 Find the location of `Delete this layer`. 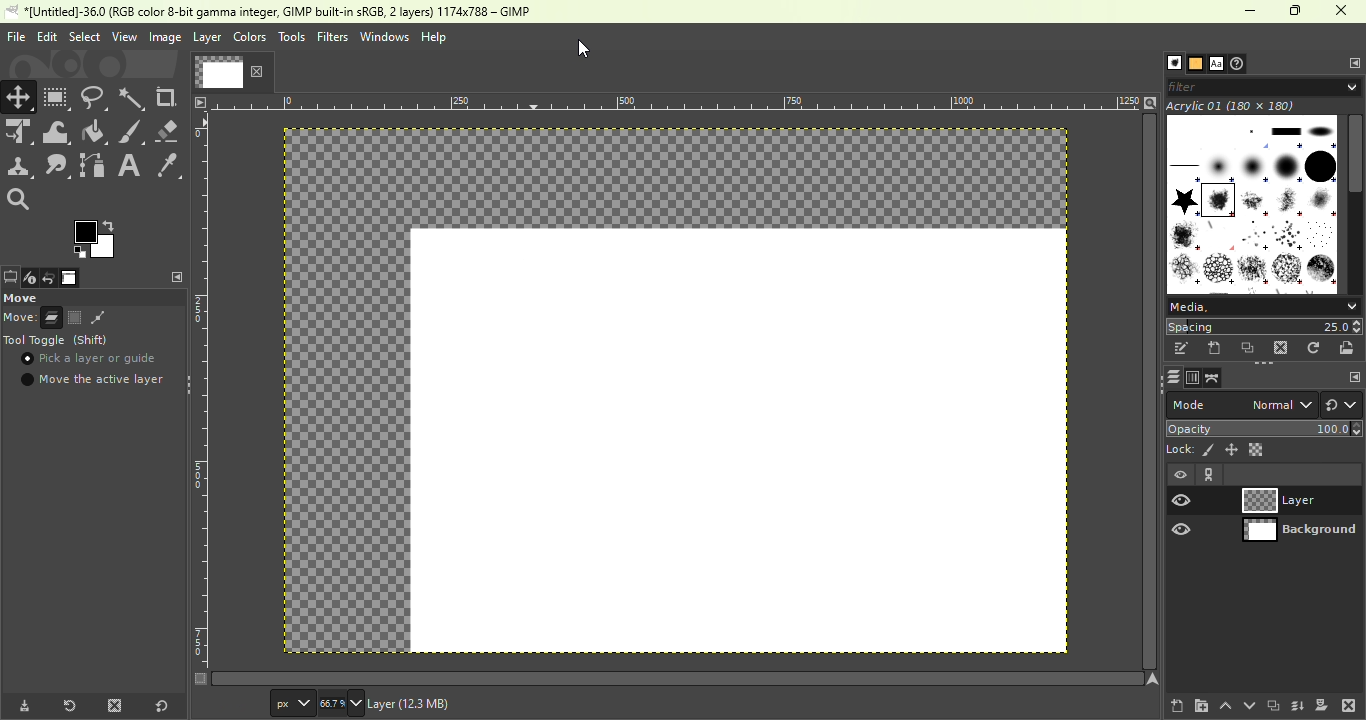

Delete this layer is located at coordinates (1349, 704).